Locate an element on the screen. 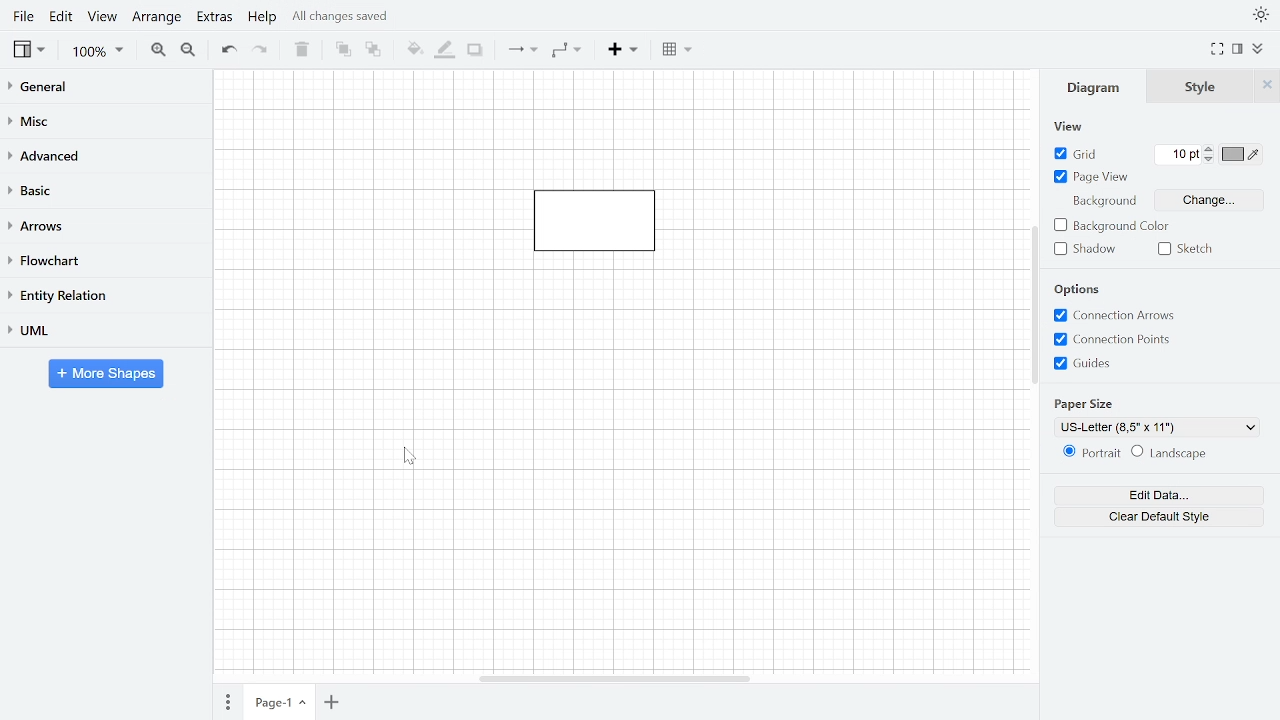 The height and width of the screenshot is (720, 1280). General is located at coordinates (104, 89).